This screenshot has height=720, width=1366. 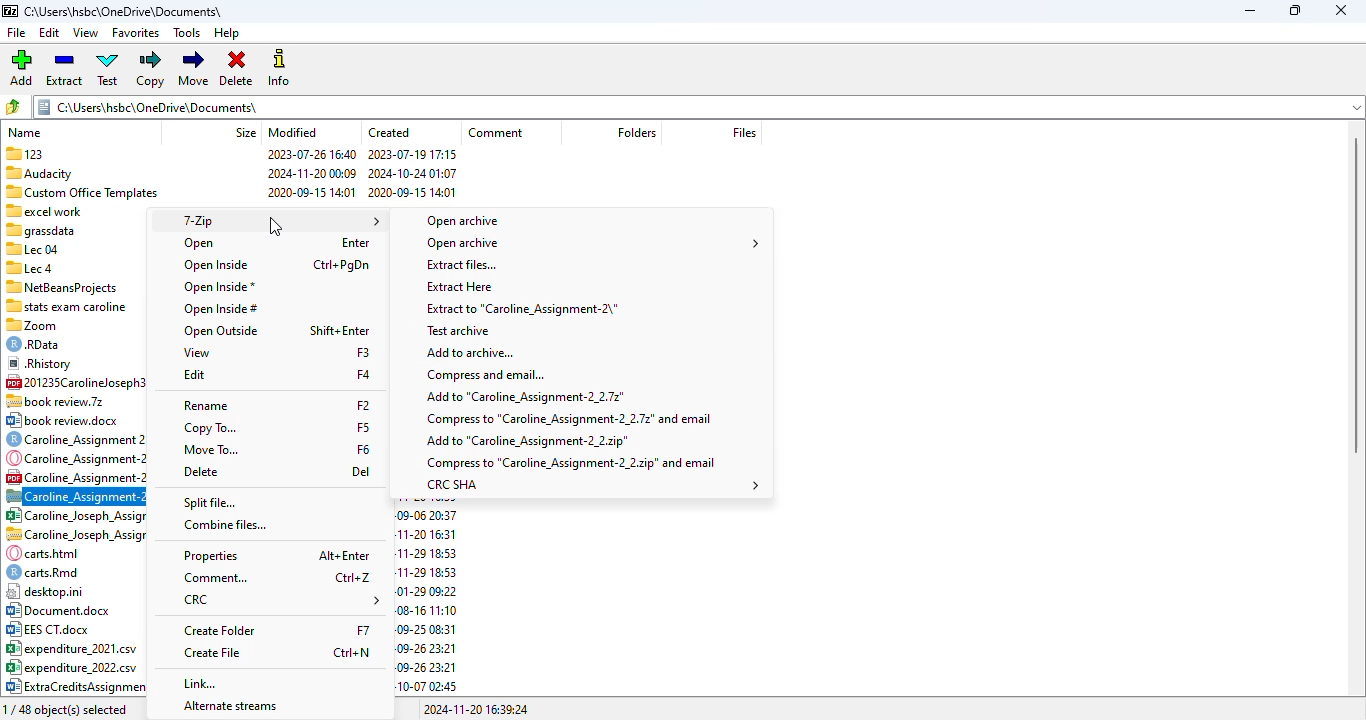 I want to click on  Caroline_Joseph_Assign... 92731 2024-11-20 16:31 2024-11-20 16:31, so click(x=74, y=535).